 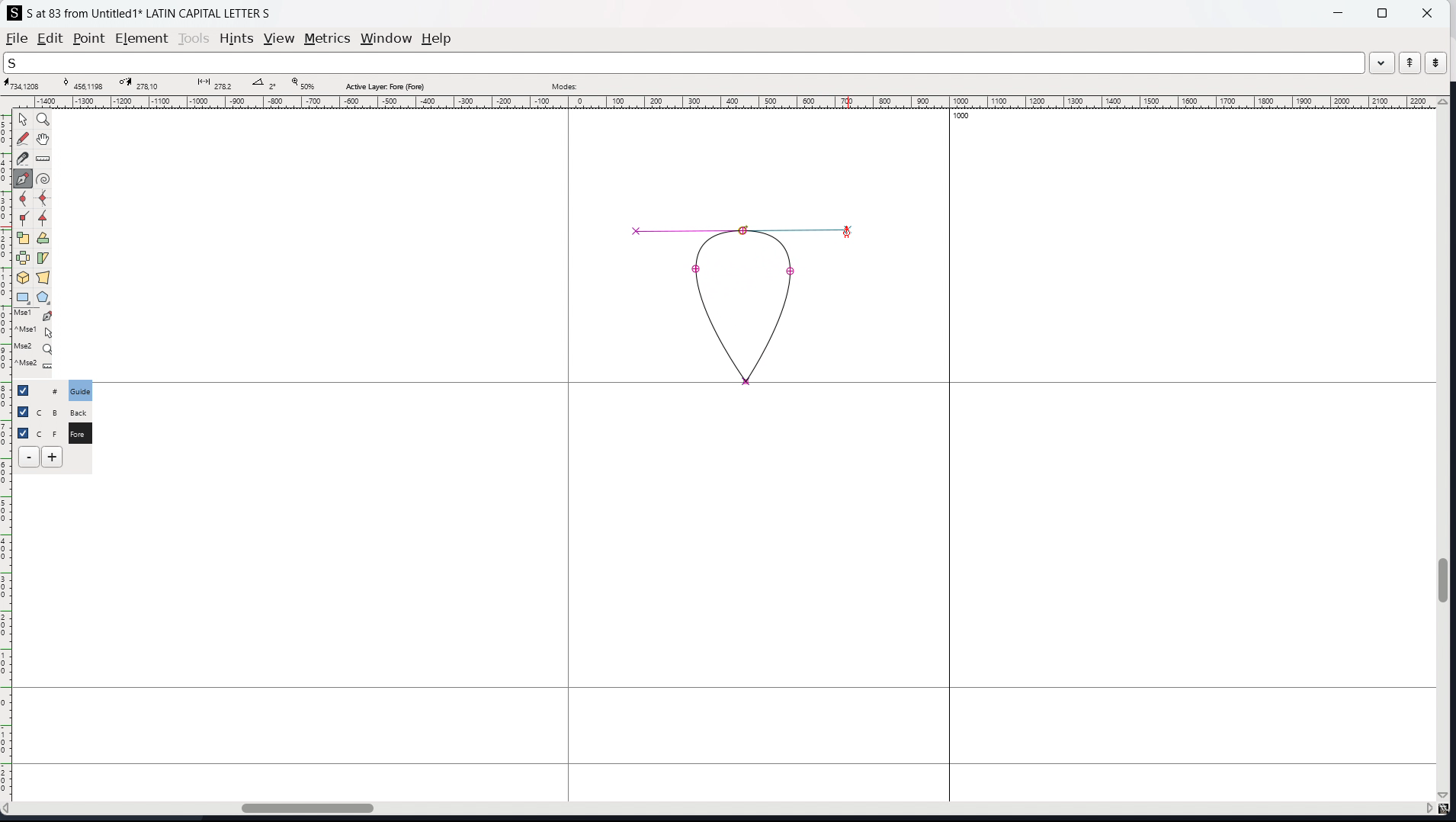 I want to click on window, so click(x=386, y=39).